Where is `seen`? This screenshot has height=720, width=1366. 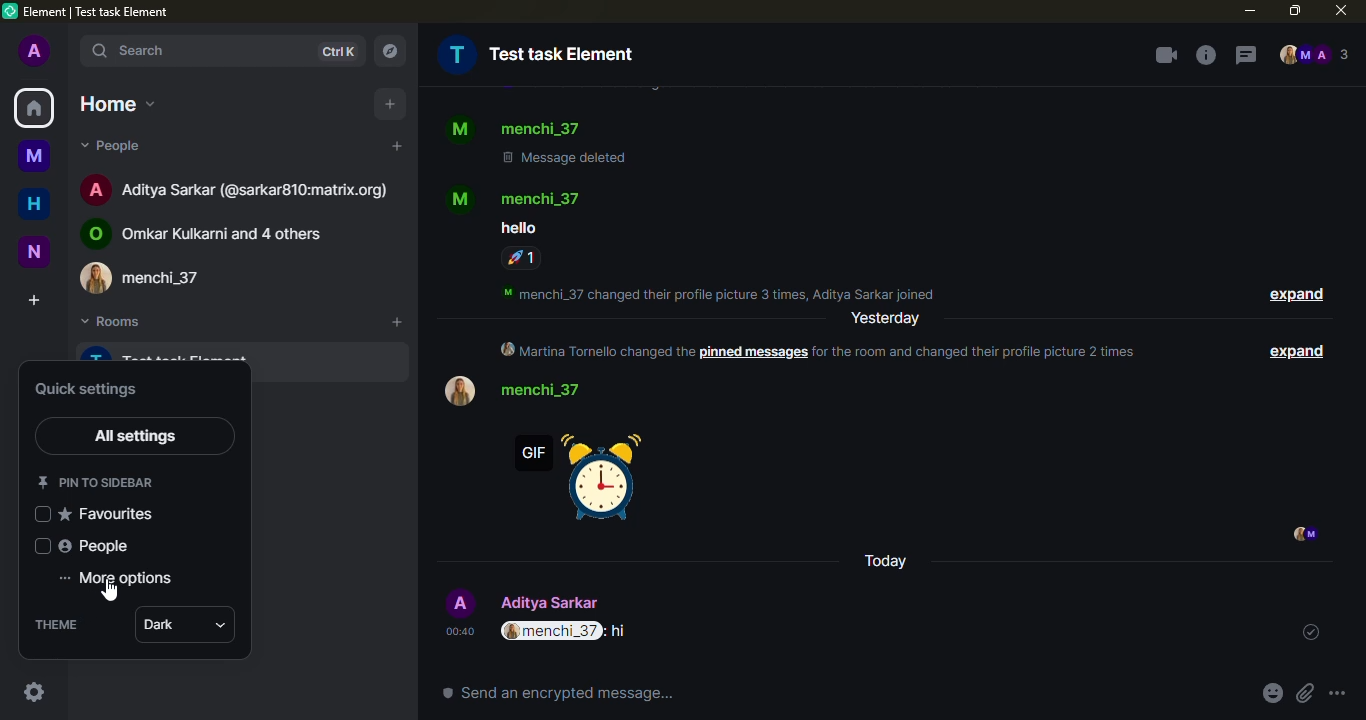
seen is located at coordinates (1302, 536).